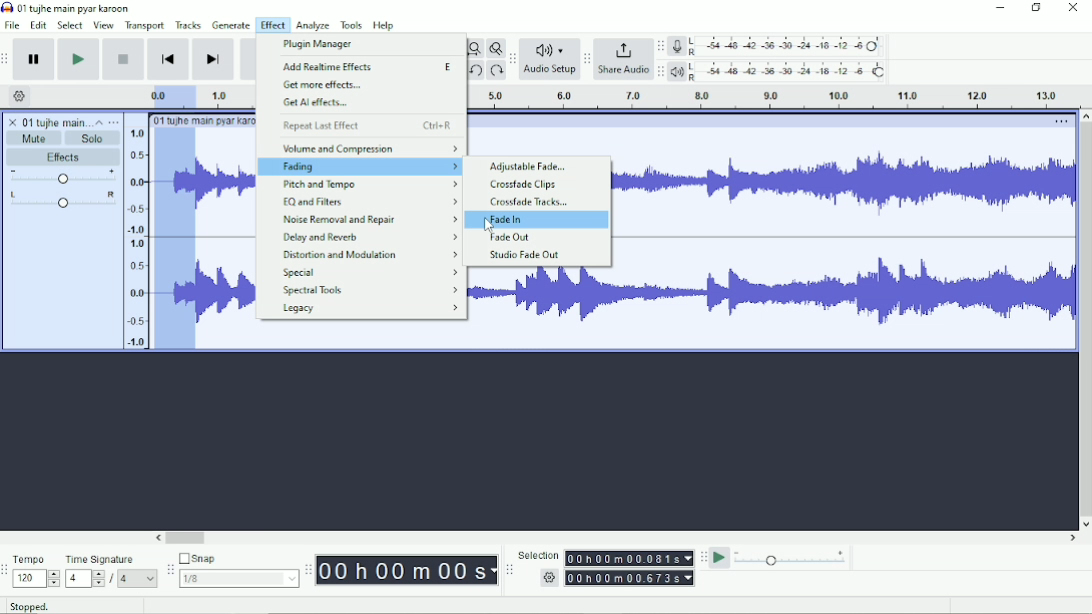 The image size is (1092, 614). Describe the element at coordinates (226, 182) in the screenshot. I see `Audio Waves` at that location.